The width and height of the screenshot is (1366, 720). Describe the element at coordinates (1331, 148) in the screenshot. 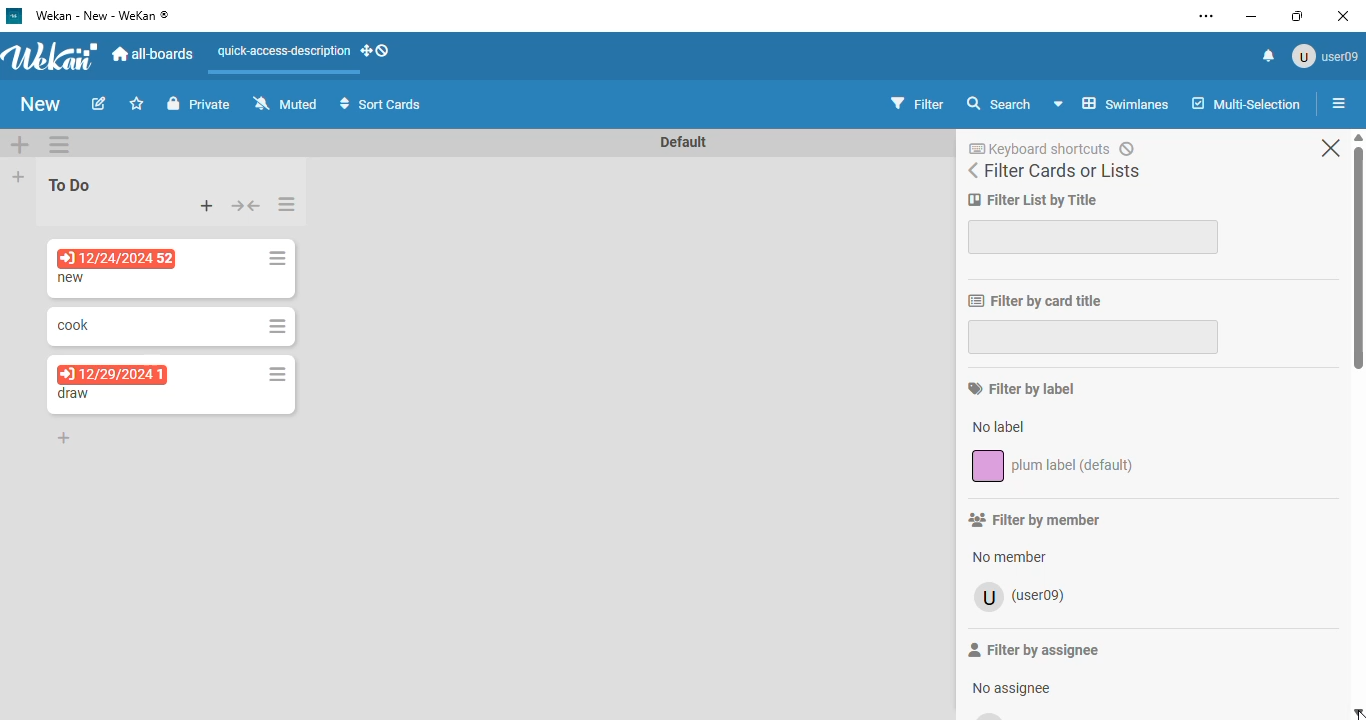

I see `close` at that location.